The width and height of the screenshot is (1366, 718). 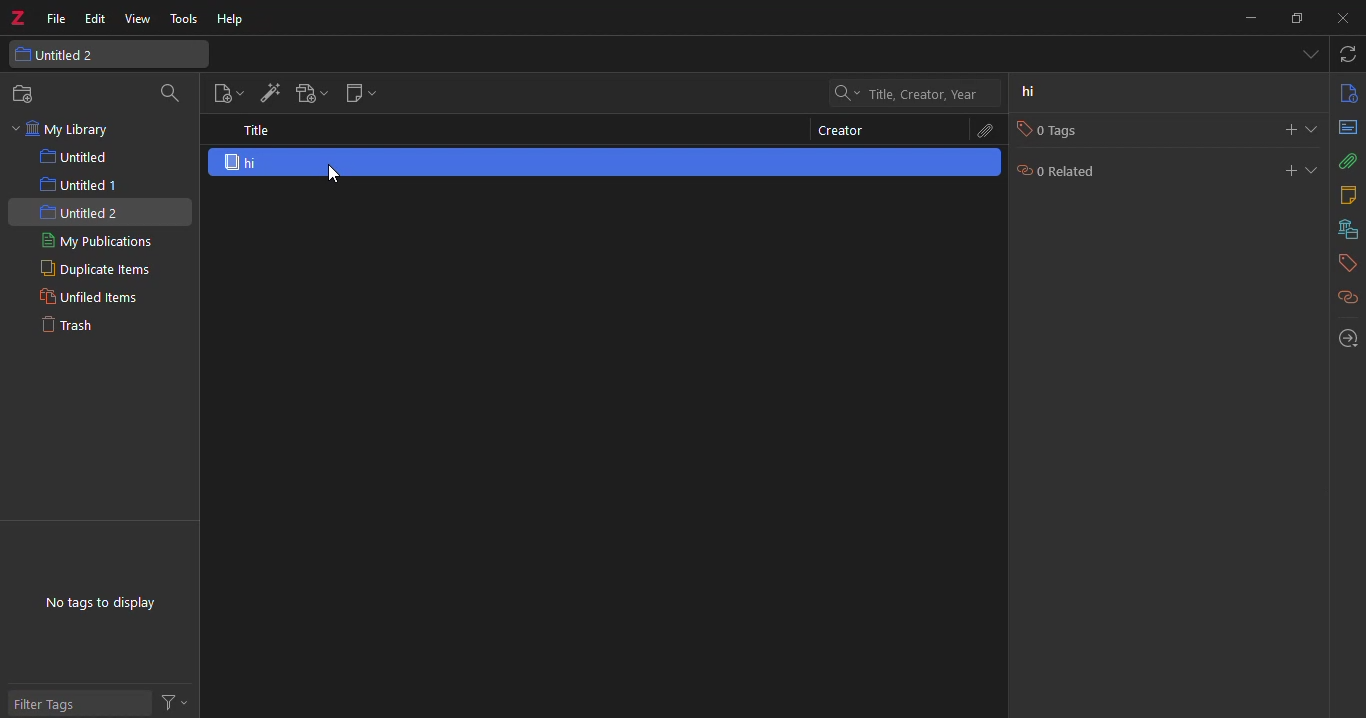 I want to click on untitled 2, so click(x=87, y=210).